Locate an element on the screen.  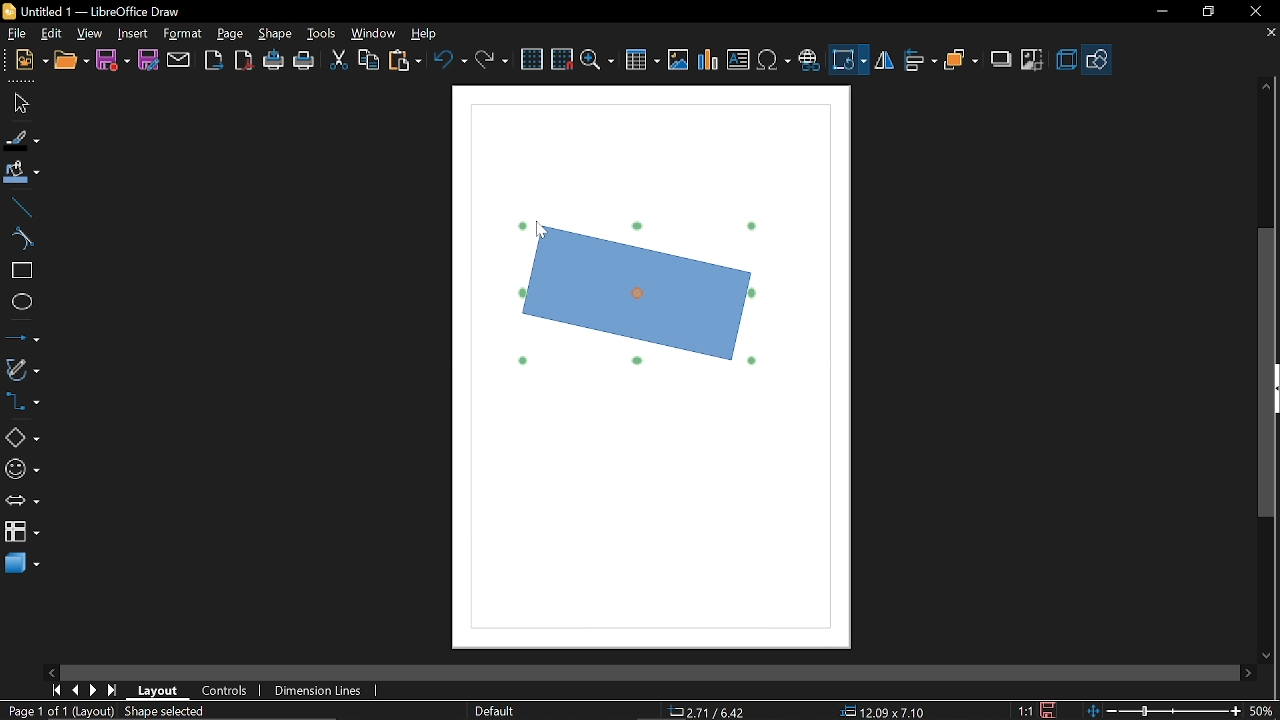
5.92/10.43 is located at coordinates (710, 712).